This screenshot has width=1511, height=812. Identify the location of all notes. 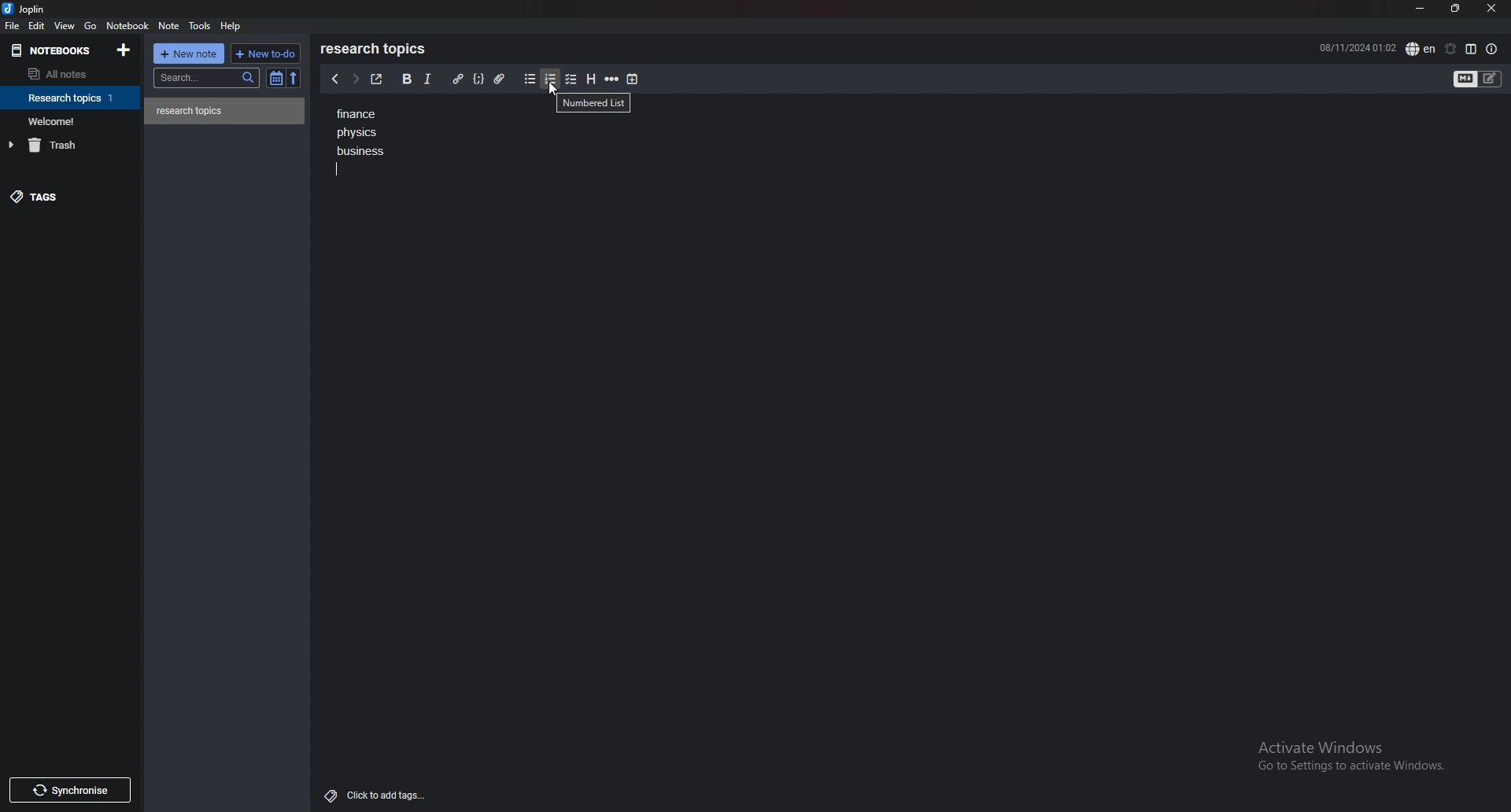
(65, 75).